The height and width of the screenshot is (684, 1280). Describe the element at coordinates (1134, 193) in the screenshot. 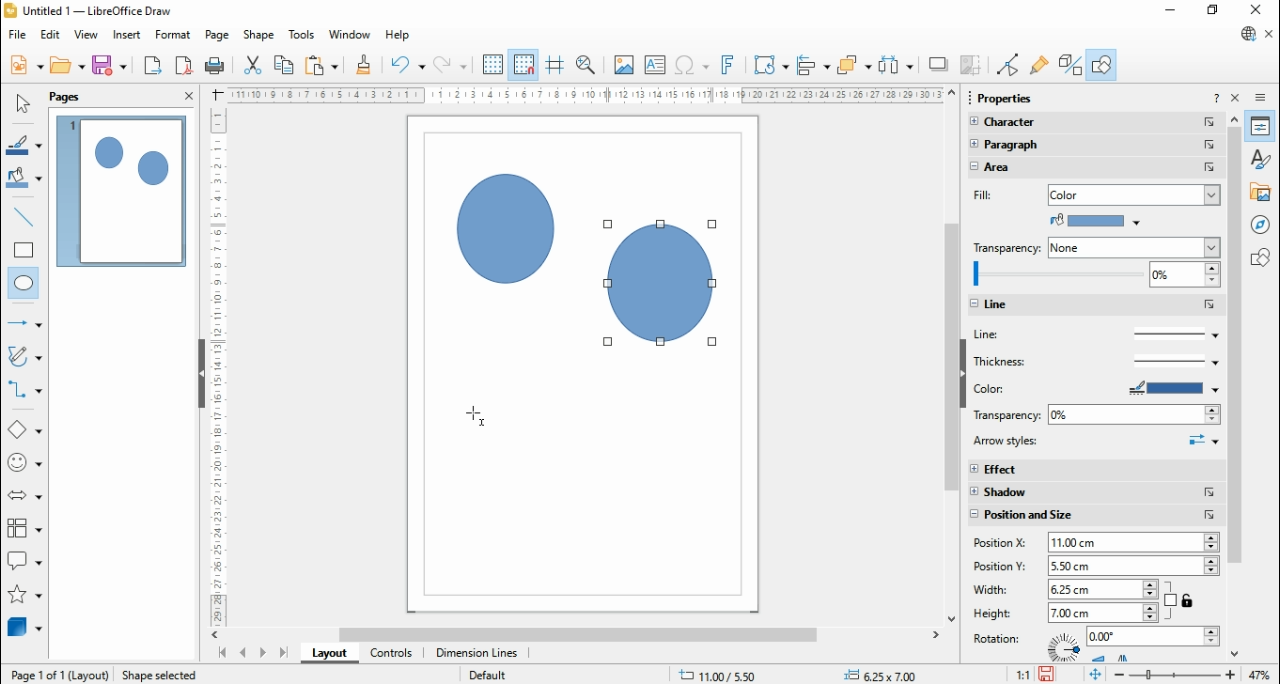

I see `color` at that location.